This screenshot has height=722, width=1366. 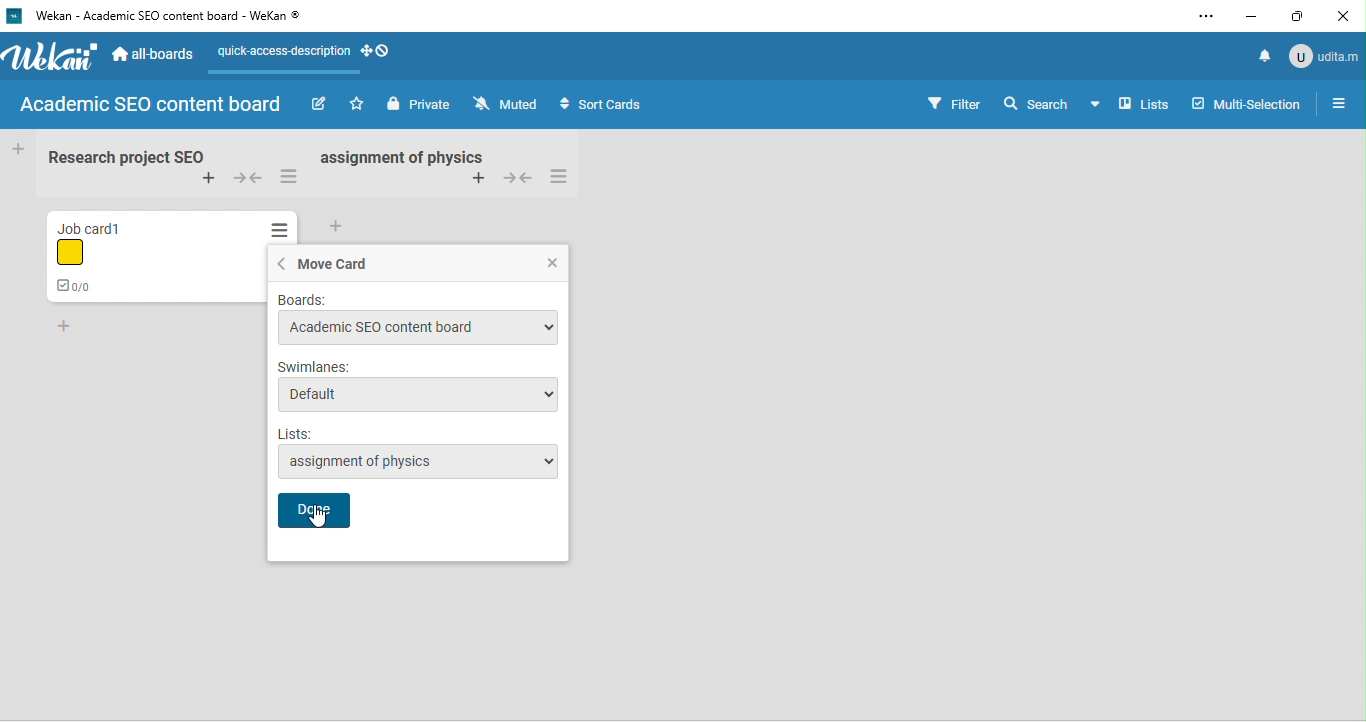 What do you see at coordinates (510, 105) in the screenshot?
I see `muted` at bounding box center [510, 105].